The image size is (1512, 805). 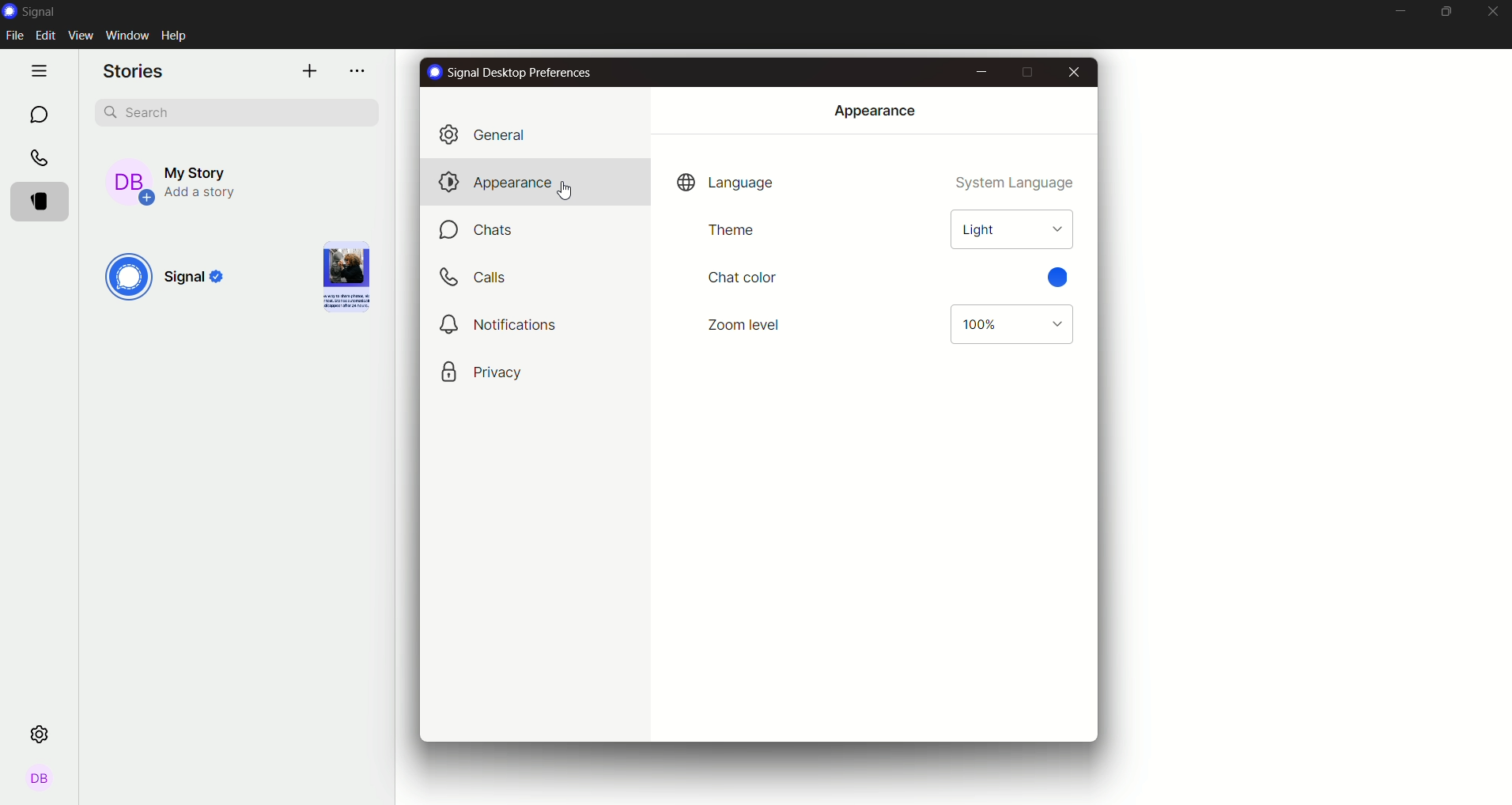 What do you see at coordinates (482, 372) in the screenshot?
I see `privacy` at bounding box center [482, 372].